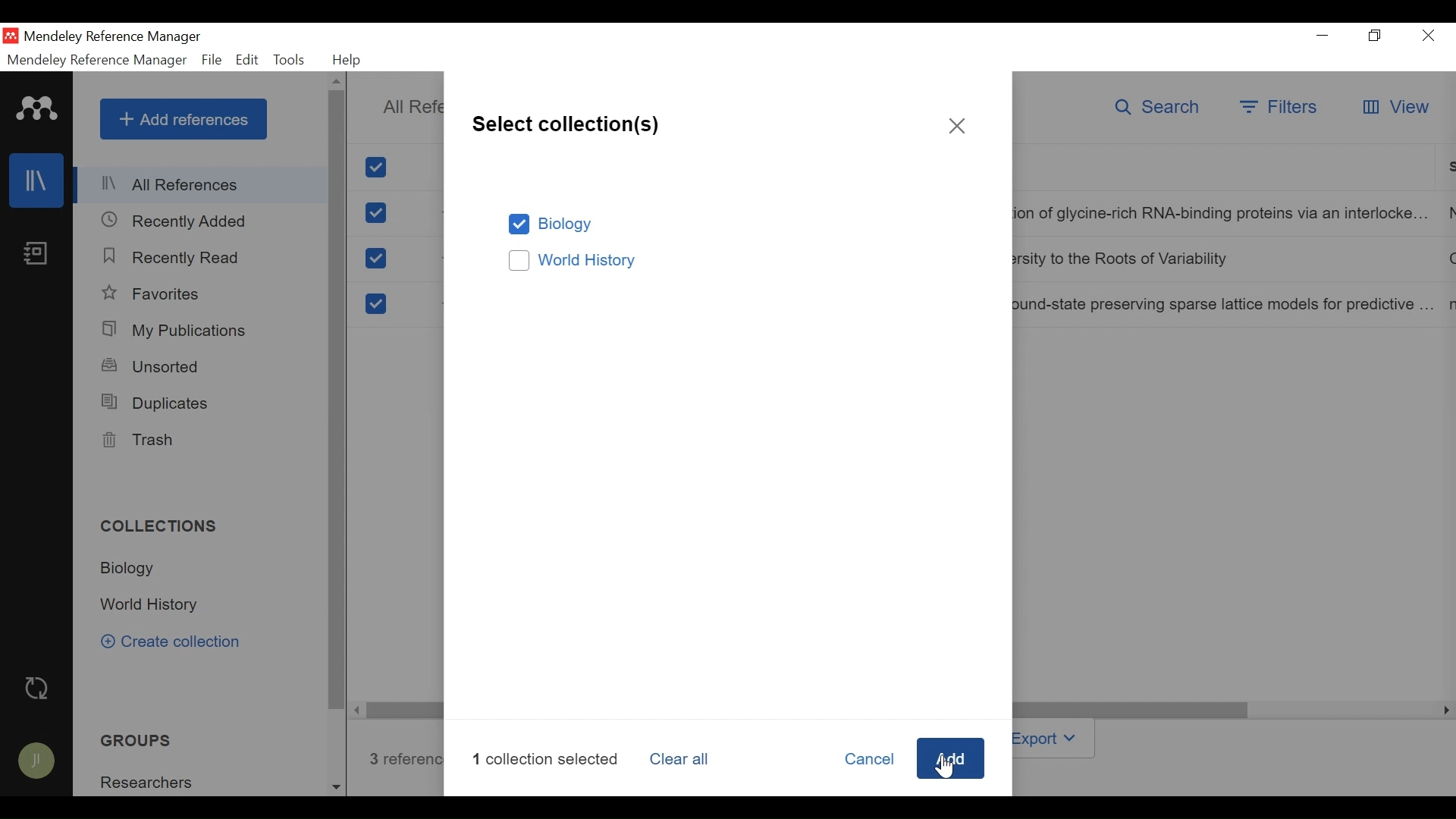 The width and height of the screenshot is (1456, 819). What do you see at coordinates (549, 758) in the screenshot?
I see `number of collections selected` at bounding box center [549, 758].